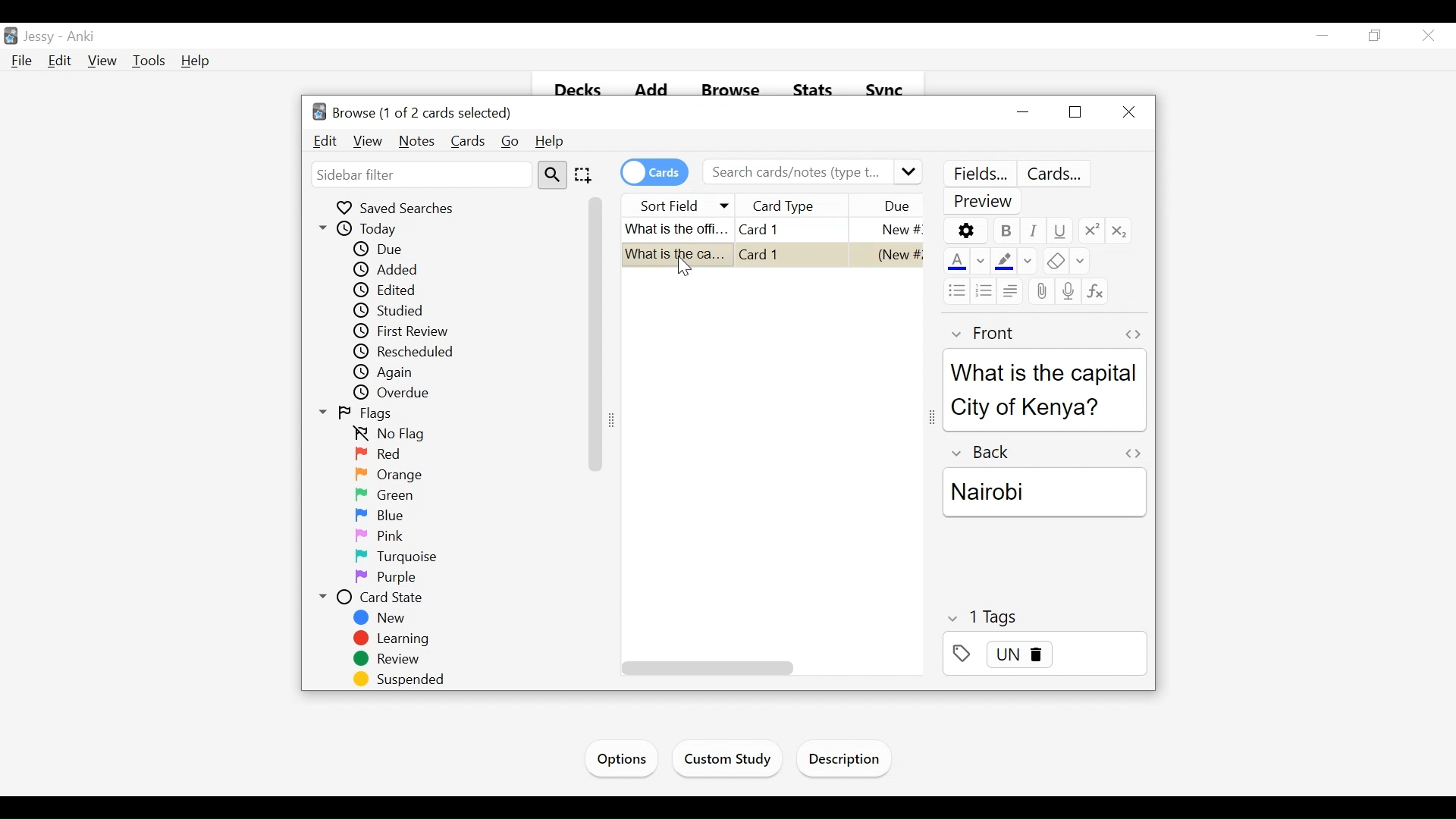 The width and height of the screenshot is (1456, 819). What do you see at coordinates (1325, 36) in the screenshot?
I see `minimize` at bounding box center [1325, 36].